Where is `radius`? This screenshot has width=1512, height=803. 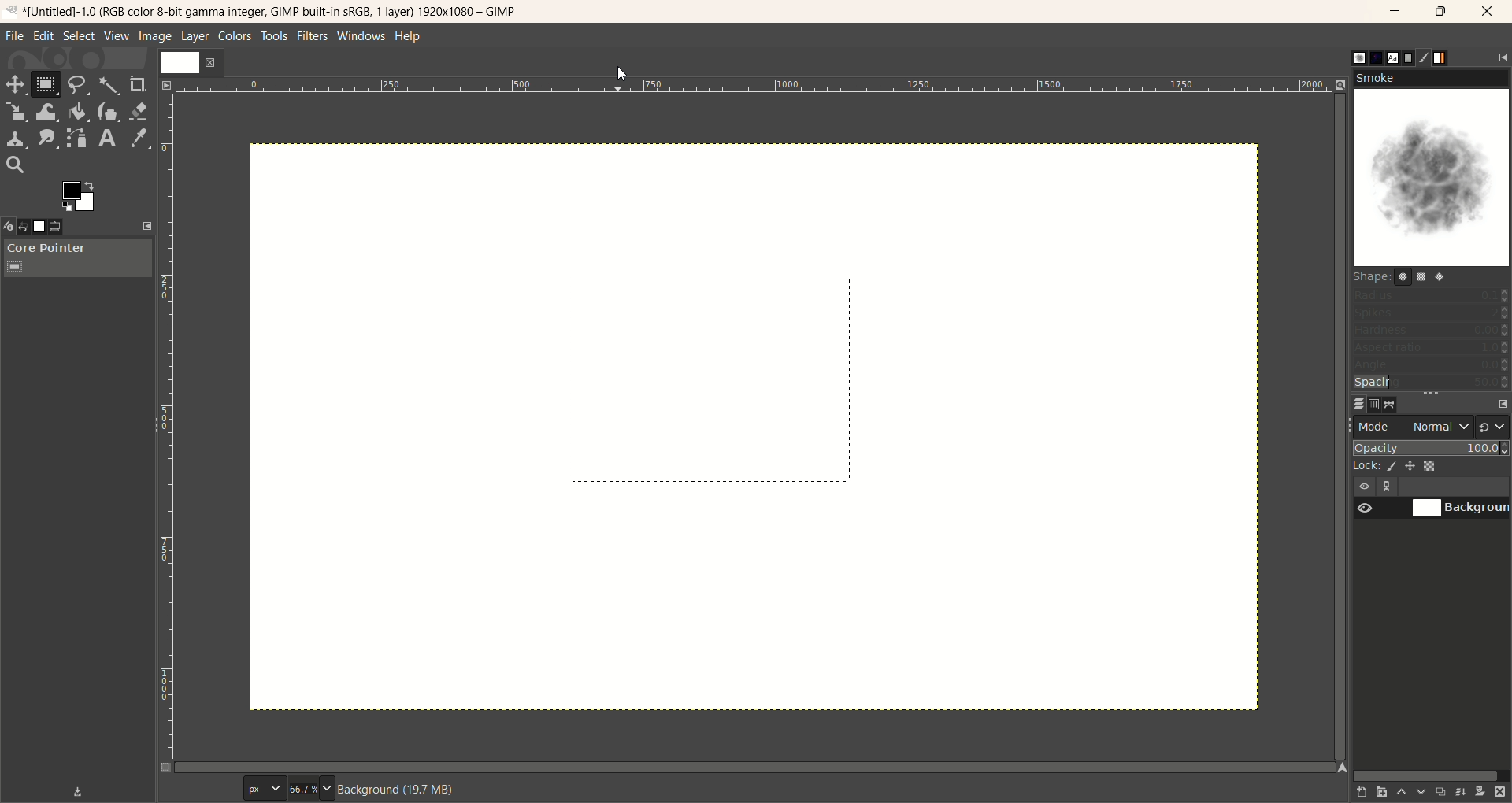
radius is located at coordinates (1431, 296).